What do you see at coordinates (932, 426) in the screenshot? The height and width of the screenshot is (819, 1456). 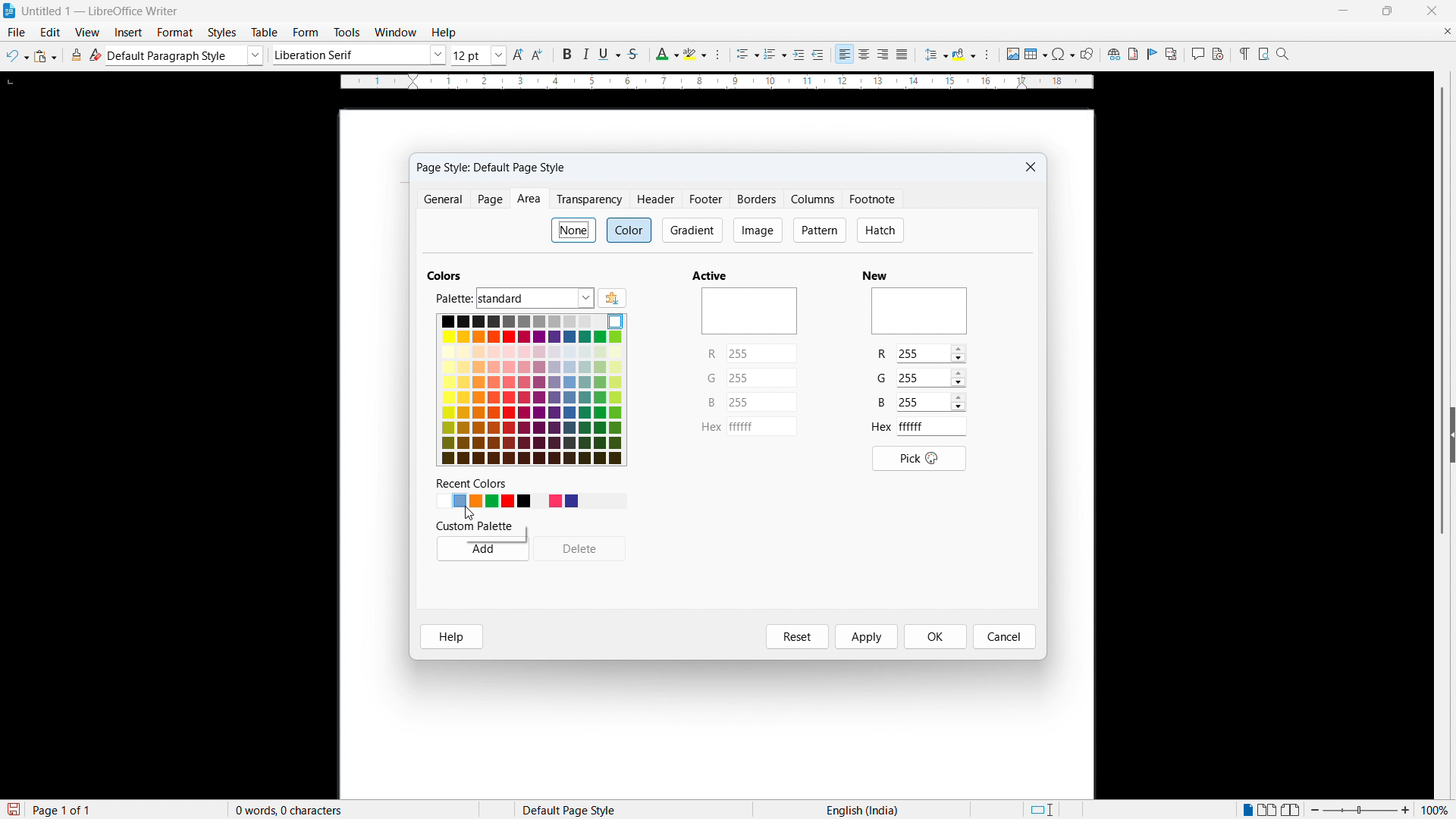 I see `hex value of the colour ` at bounding box center [932, 426].